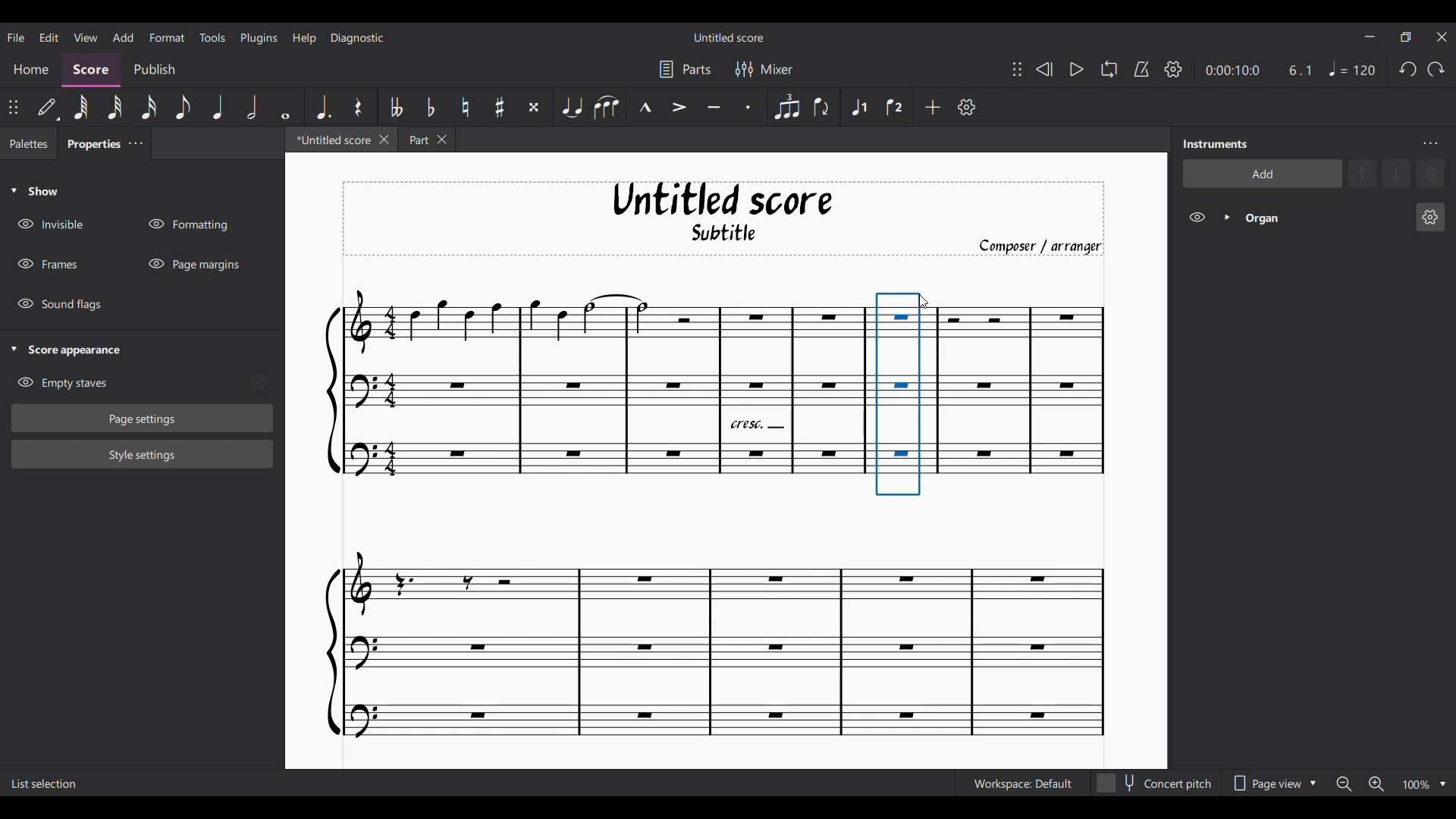 This screenshot has width=1456, height=819. I want to click on Zoom options, so click(1442, 785).